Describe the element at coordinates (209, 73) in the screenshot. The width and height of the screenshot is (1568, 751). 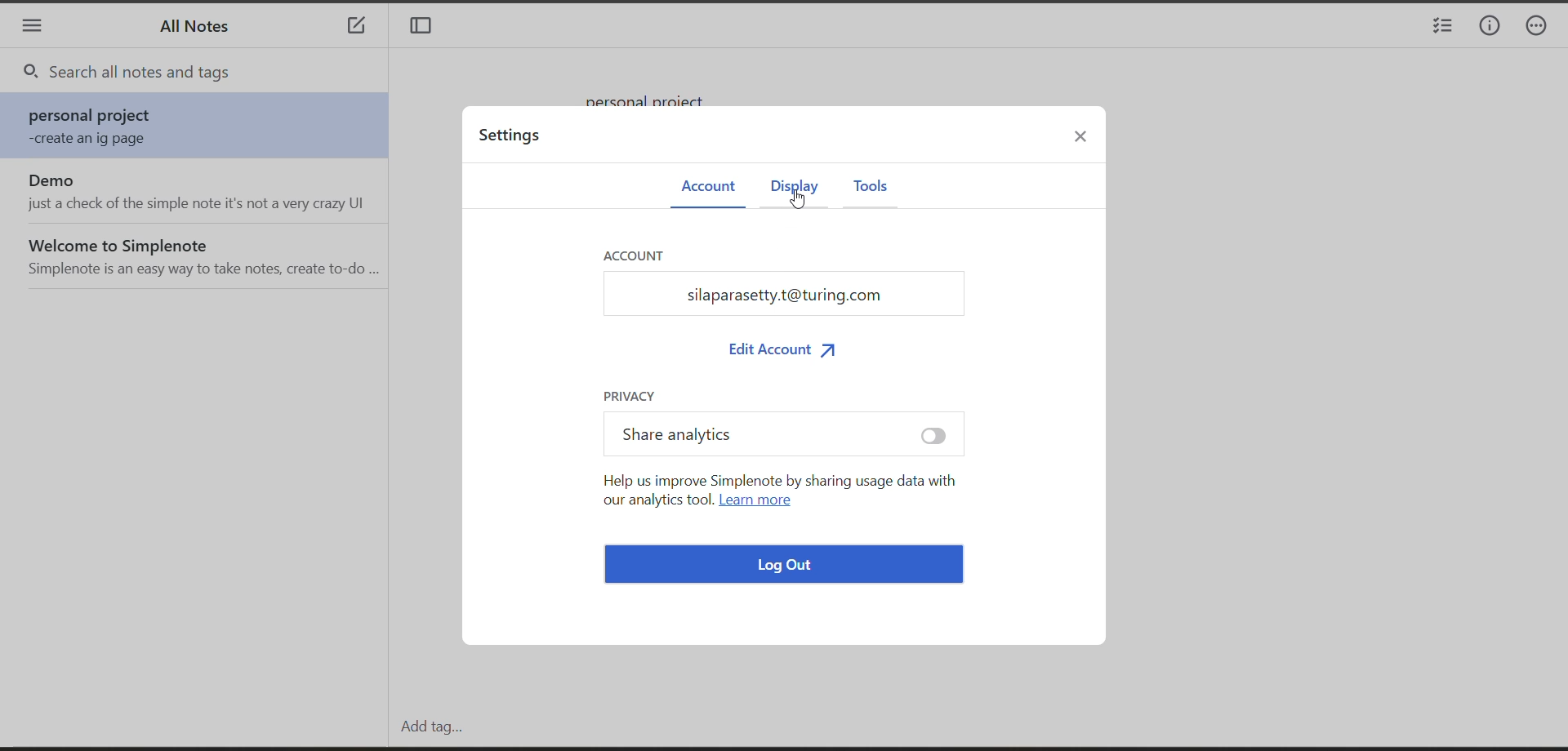
I see `search all notes and tags` at that location.